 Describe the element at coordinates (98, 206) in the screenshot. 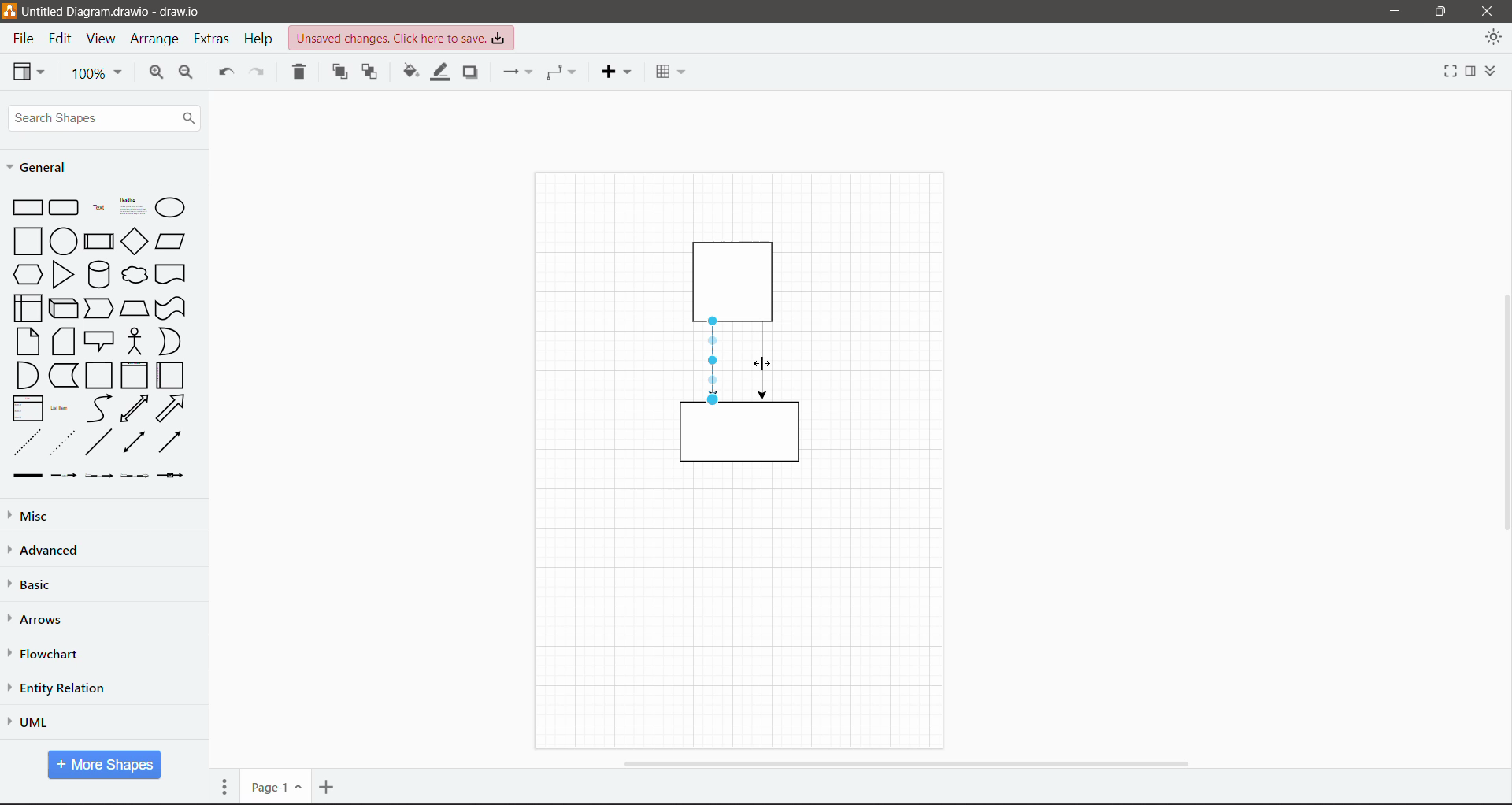

I see `Text` at that location.